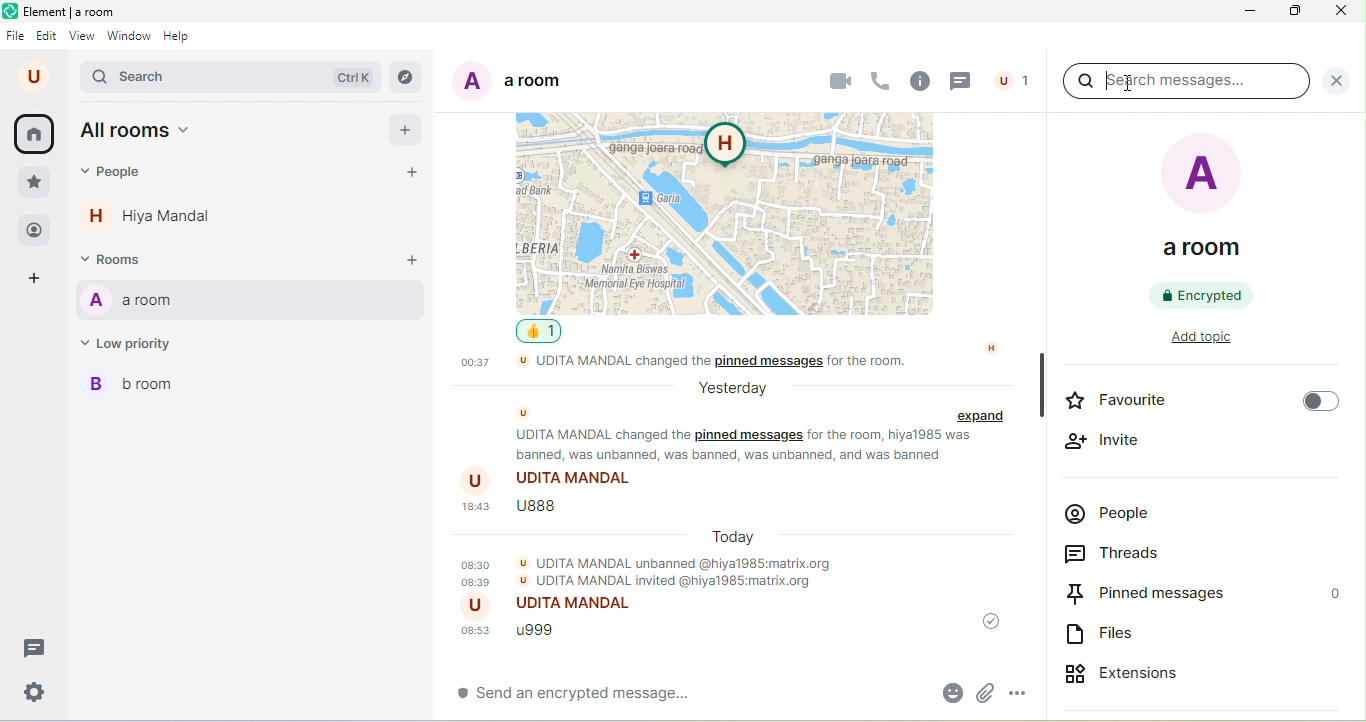  I want to click on room info, so click(919, 82).